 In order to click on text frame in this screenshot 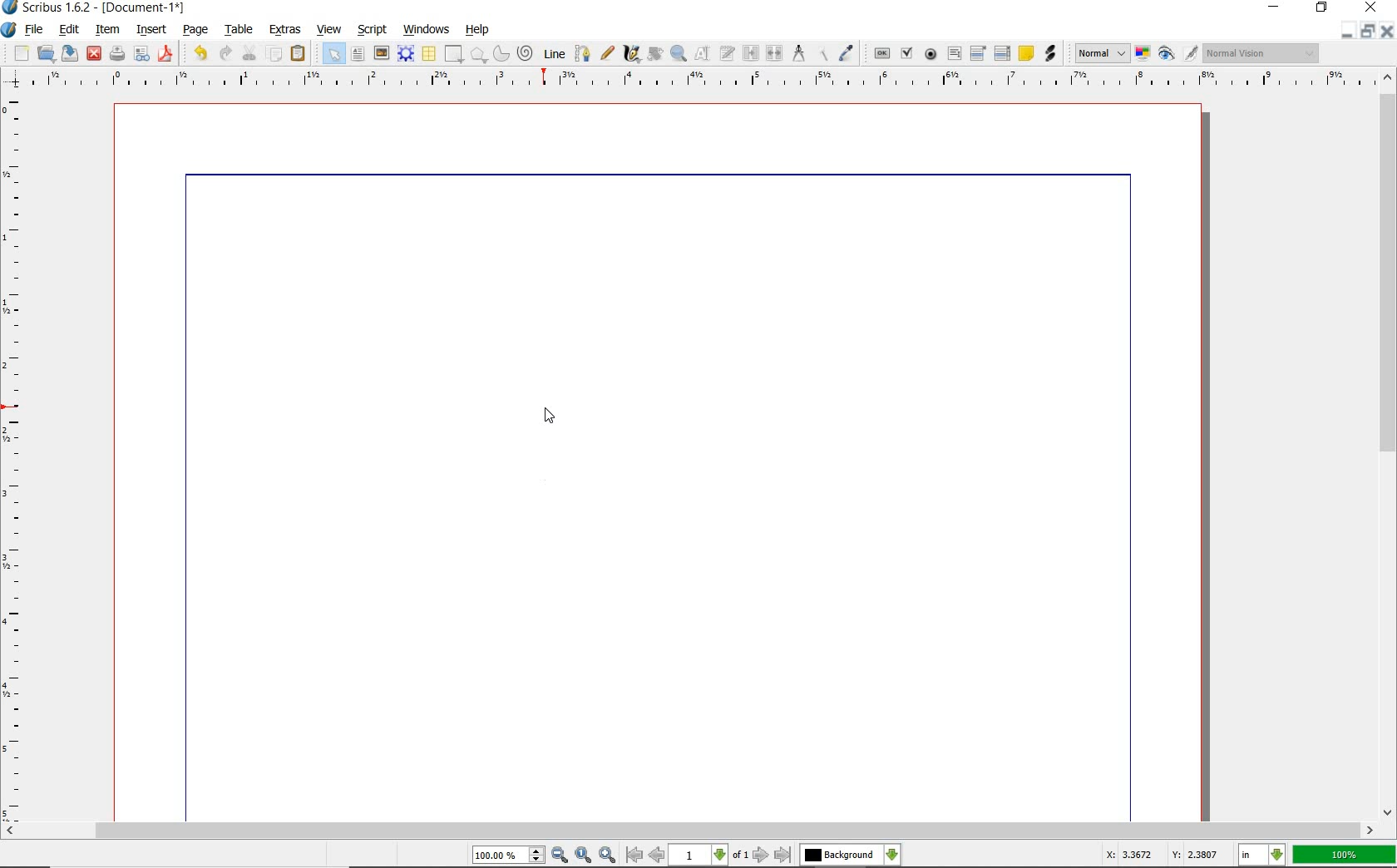, I will do `click(356, 55)`.